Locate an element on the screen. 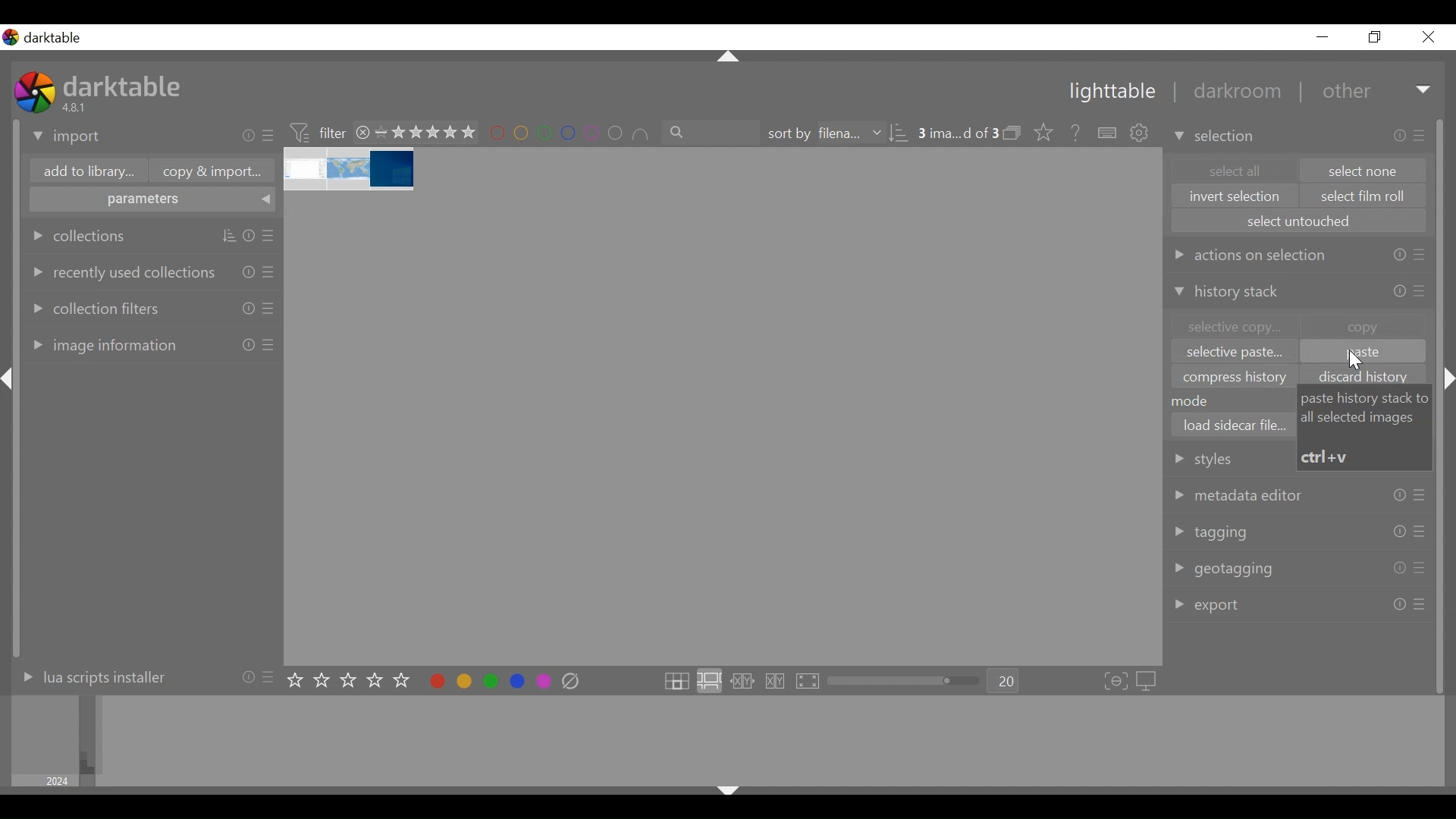 The width and height of the screenshot is (1456, 819). copy & import is located at coordinates (208, 171).